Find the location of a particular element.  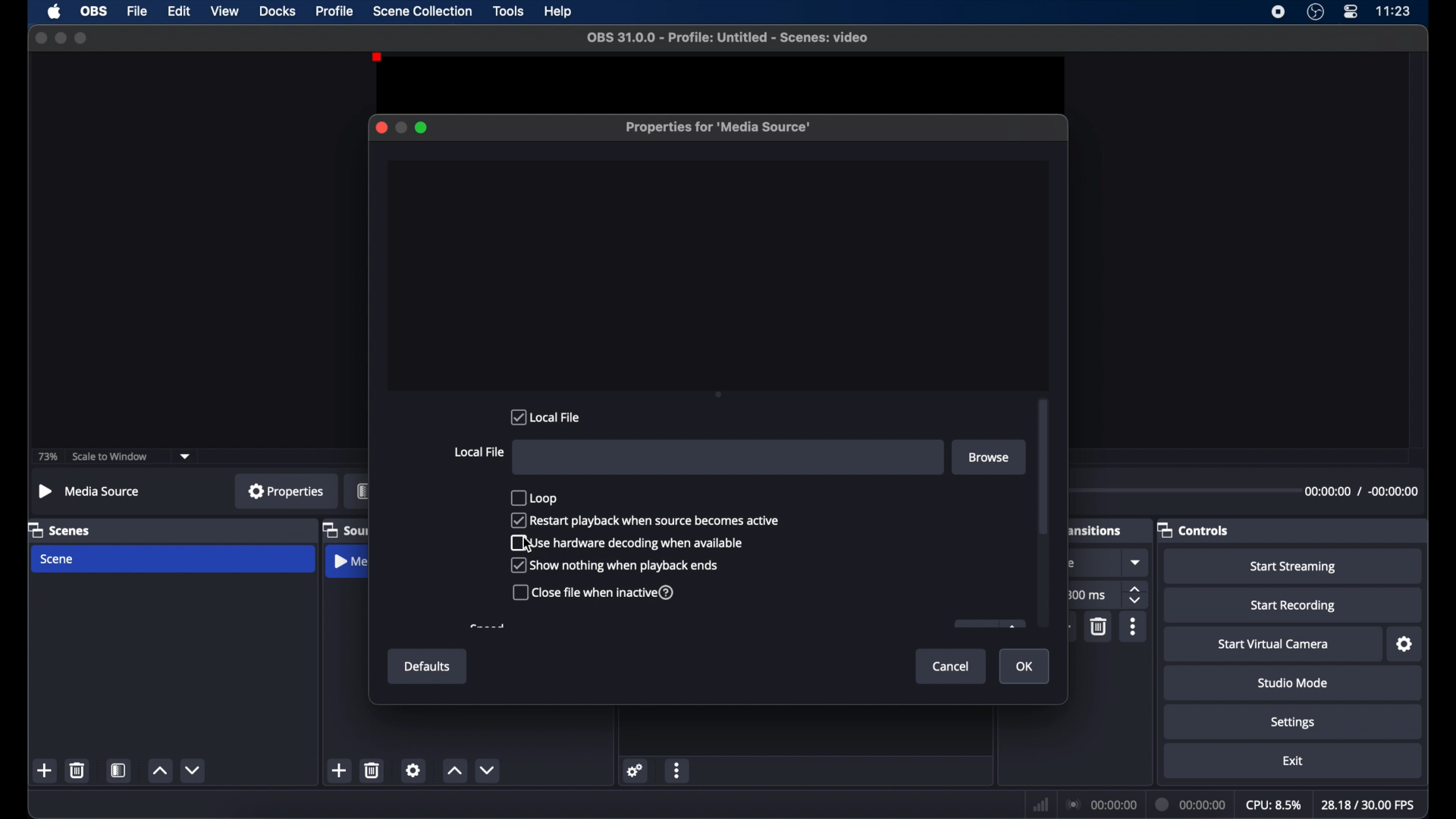

apple icon is located at coordinates (55, 12).